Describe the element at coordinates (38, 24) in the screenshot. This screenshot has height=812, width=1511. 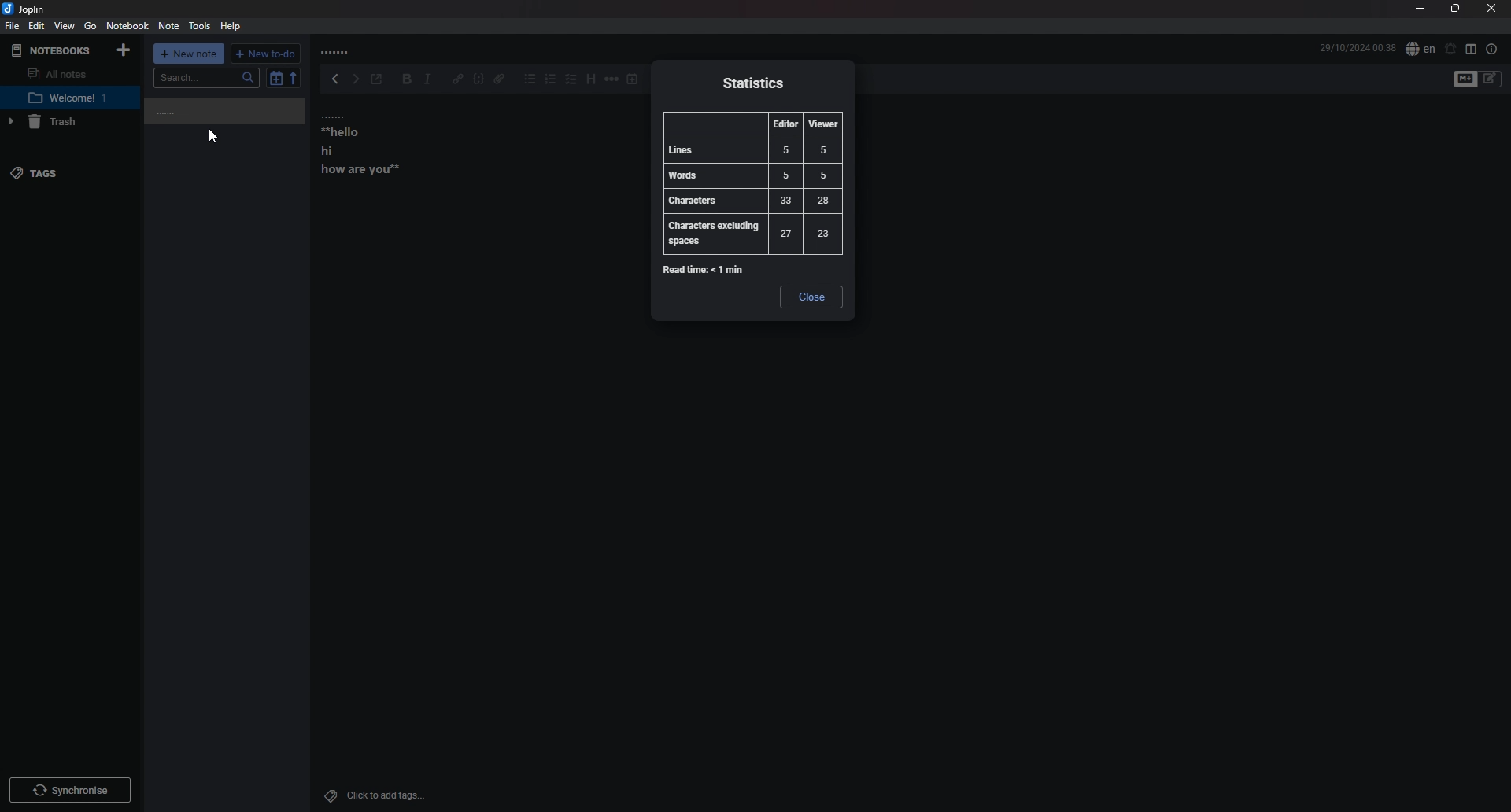
I see `Edit` at that location.